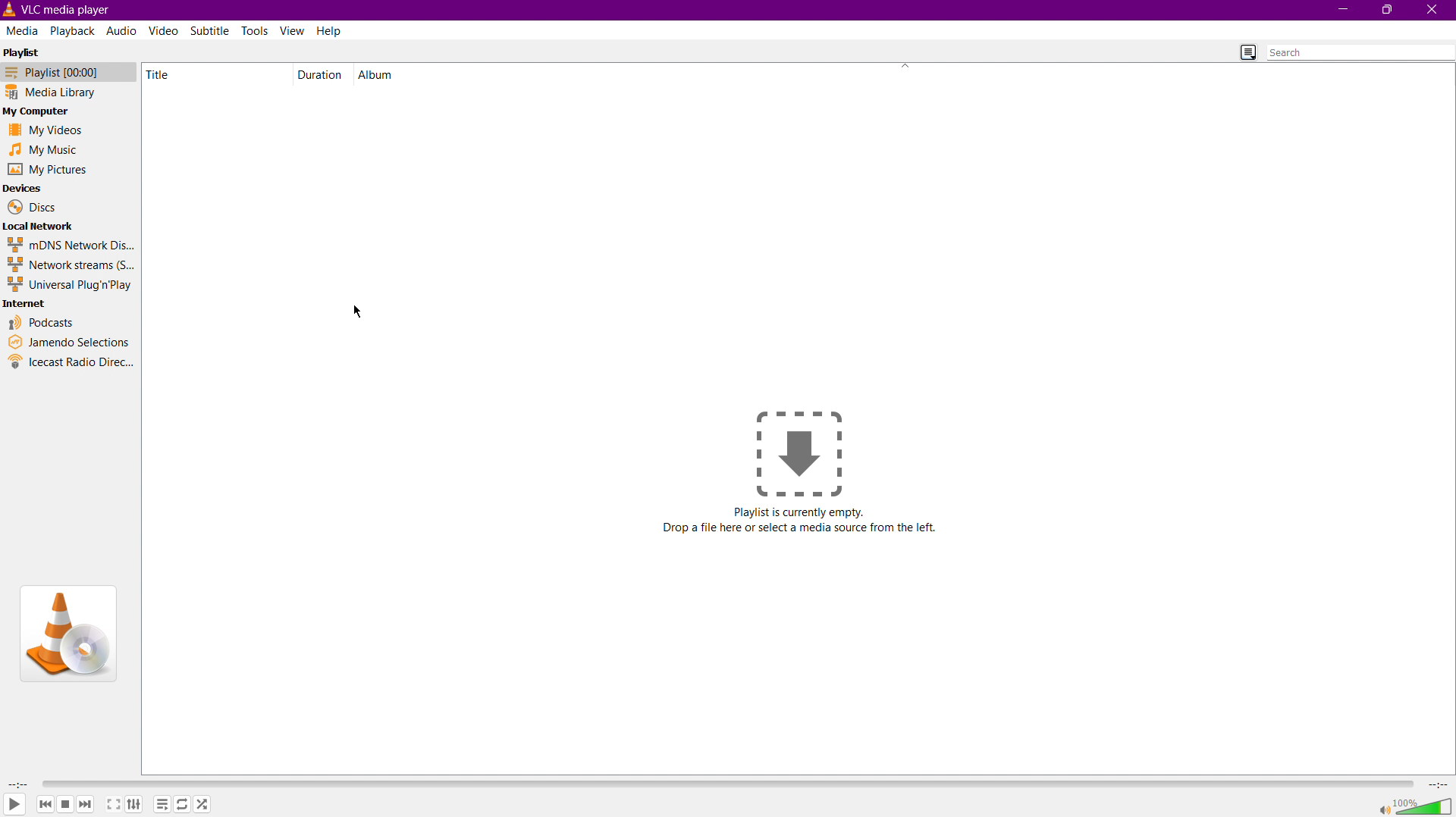 The height and width of the screenshot is (817, 1456). I want to click on Tools, so click(257, 30).